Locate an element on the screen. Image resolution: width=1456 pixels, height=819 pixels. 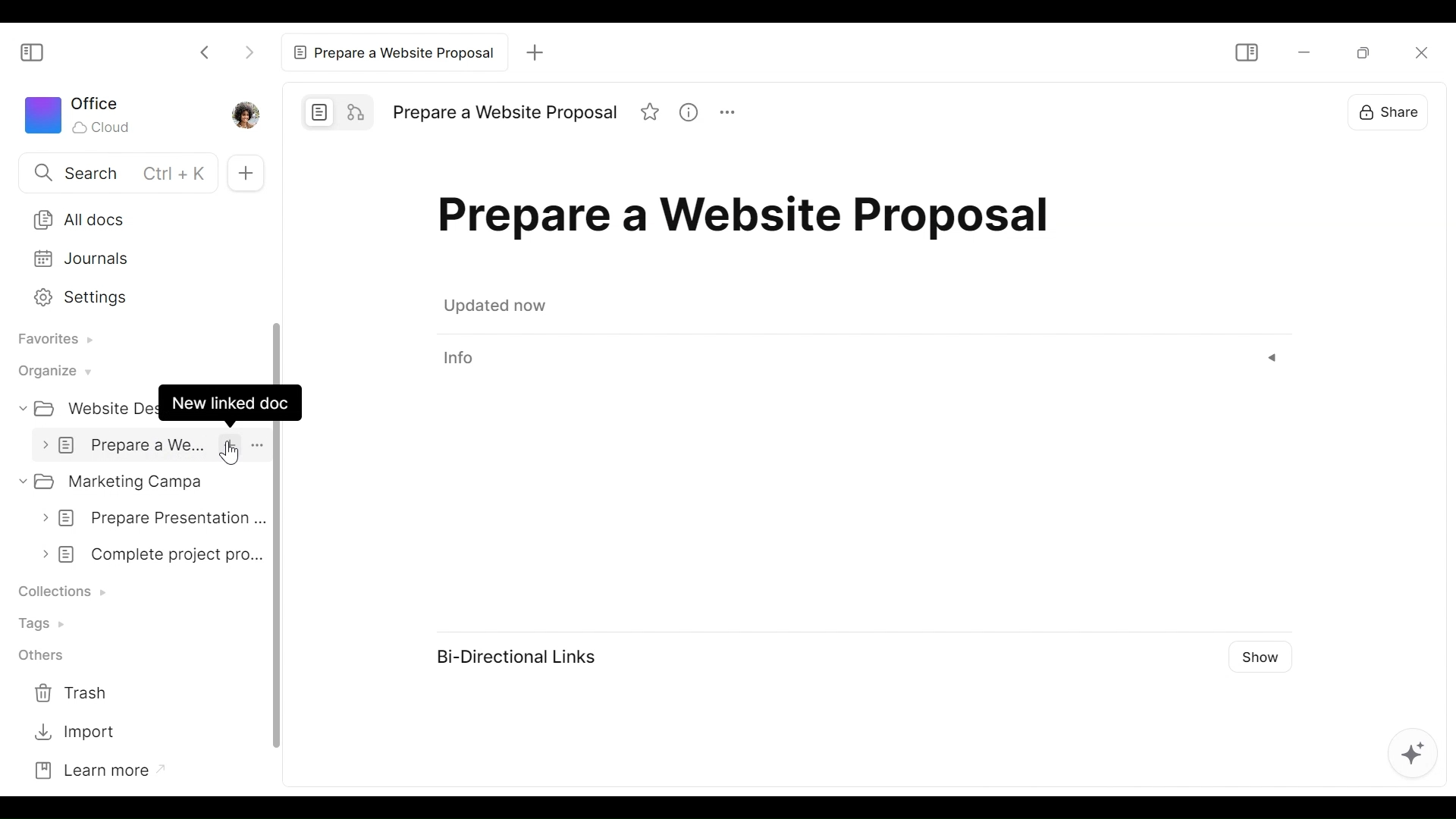
Restore is located at coordinates (1367, 52).